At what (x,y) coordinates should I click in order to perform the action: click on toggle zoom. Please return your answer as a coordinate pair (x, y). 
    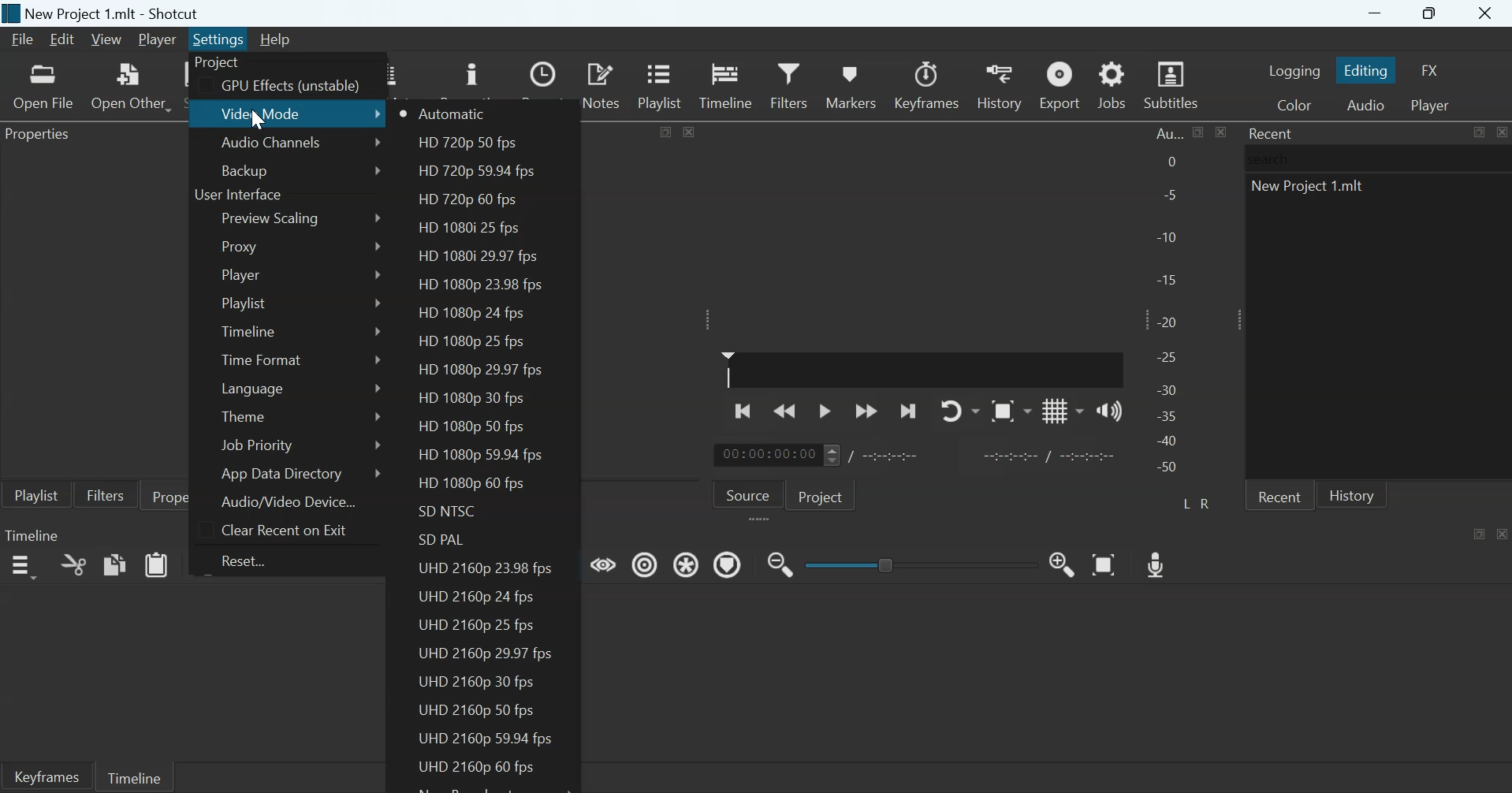
    Looking at the image, I should click on (1011, 411).